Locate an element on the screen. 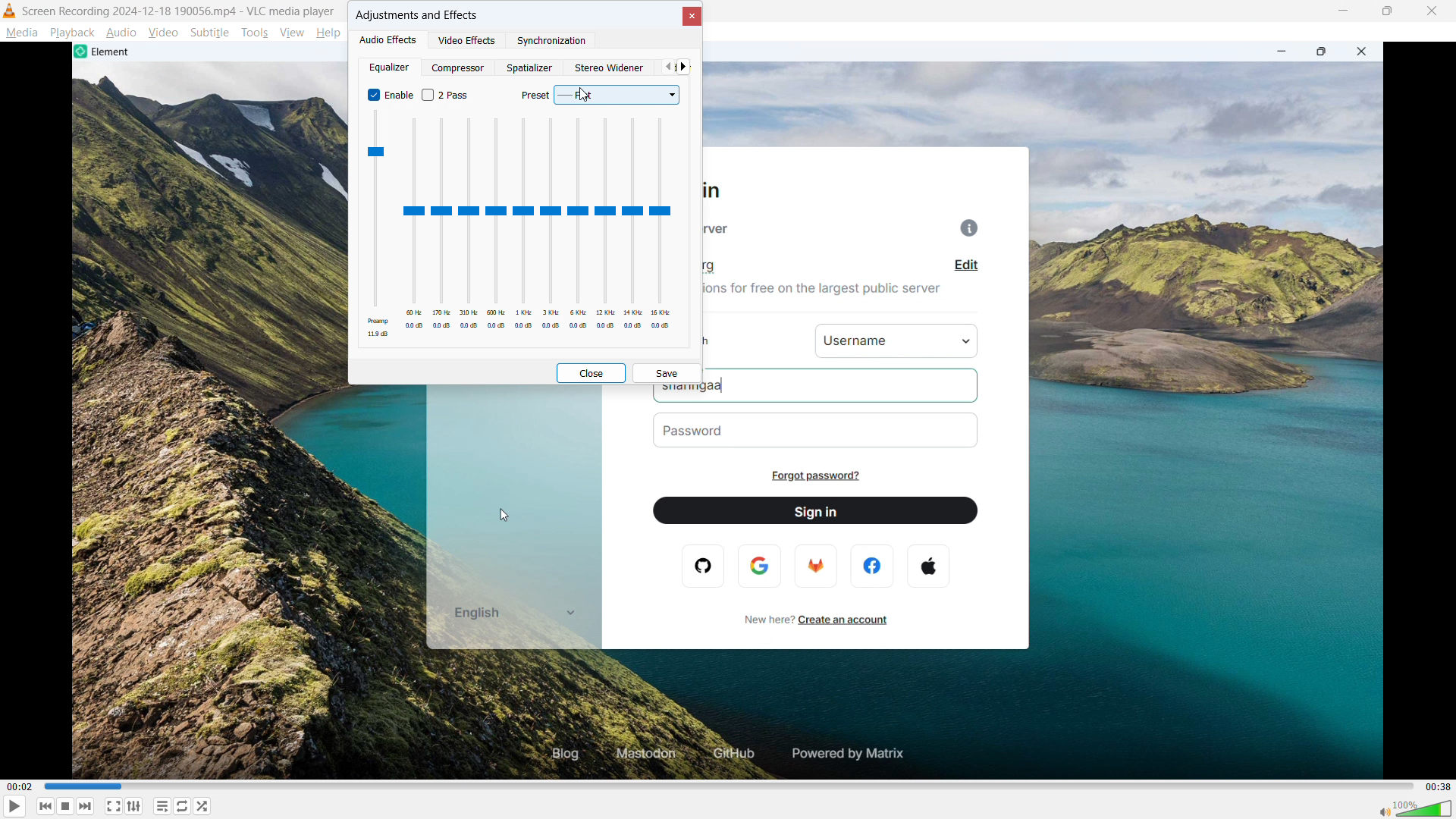  Media  is located at coordinates (21, 33).